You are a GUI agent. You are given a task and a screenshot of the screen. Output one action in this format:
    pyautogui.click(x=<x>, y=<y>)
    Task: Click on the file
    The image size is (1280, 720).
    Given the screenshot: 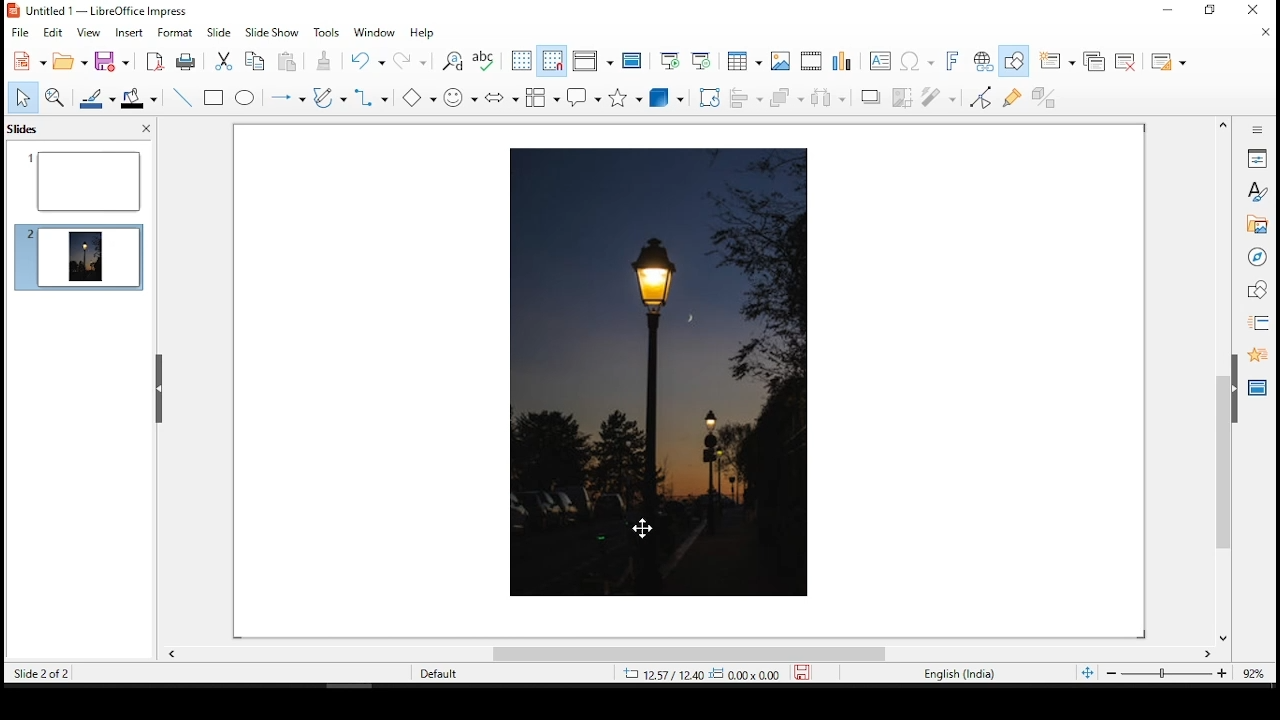 What is the action you would take?
    pyautogui.click(x=21, y=32)
    